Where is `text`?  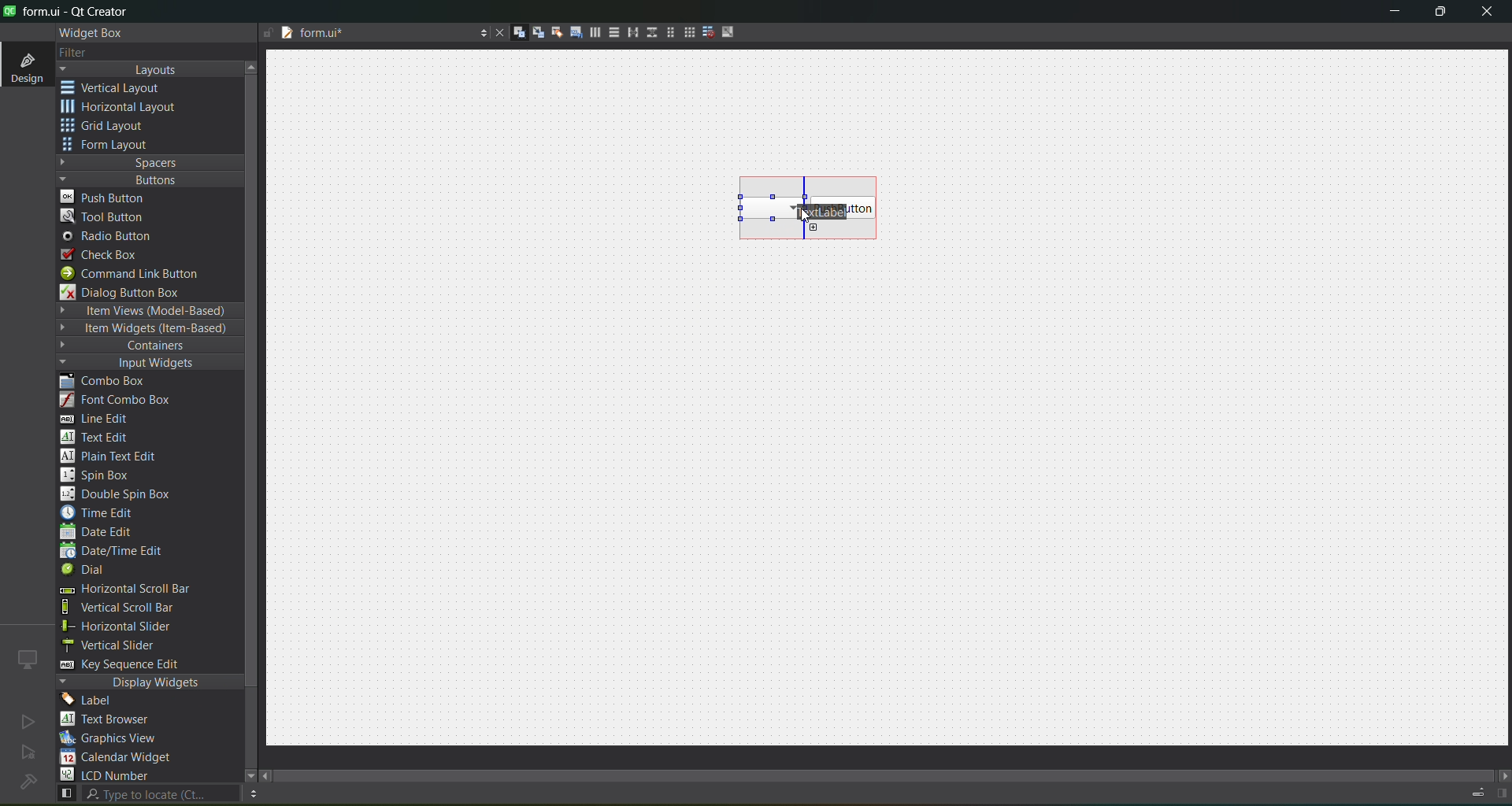 text is located at coordinates (114, 720).